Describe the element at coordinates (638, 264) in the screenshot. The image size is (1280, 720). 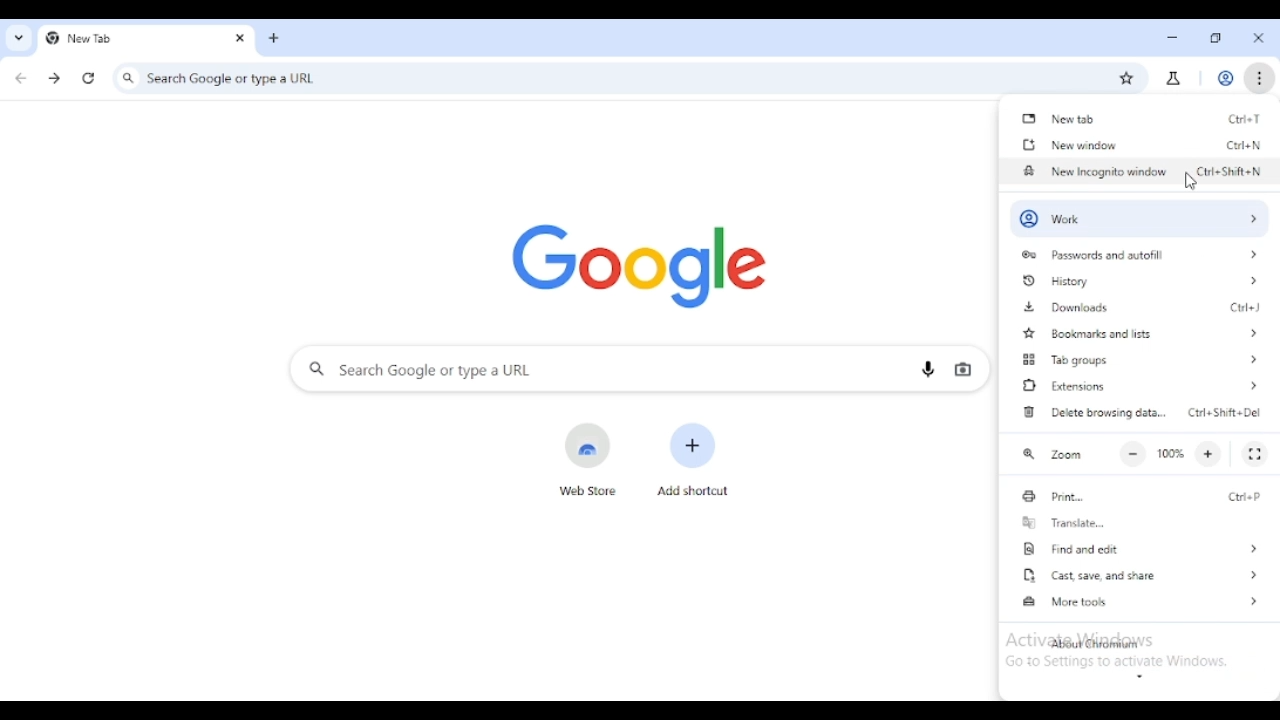
I see `google` at that location.